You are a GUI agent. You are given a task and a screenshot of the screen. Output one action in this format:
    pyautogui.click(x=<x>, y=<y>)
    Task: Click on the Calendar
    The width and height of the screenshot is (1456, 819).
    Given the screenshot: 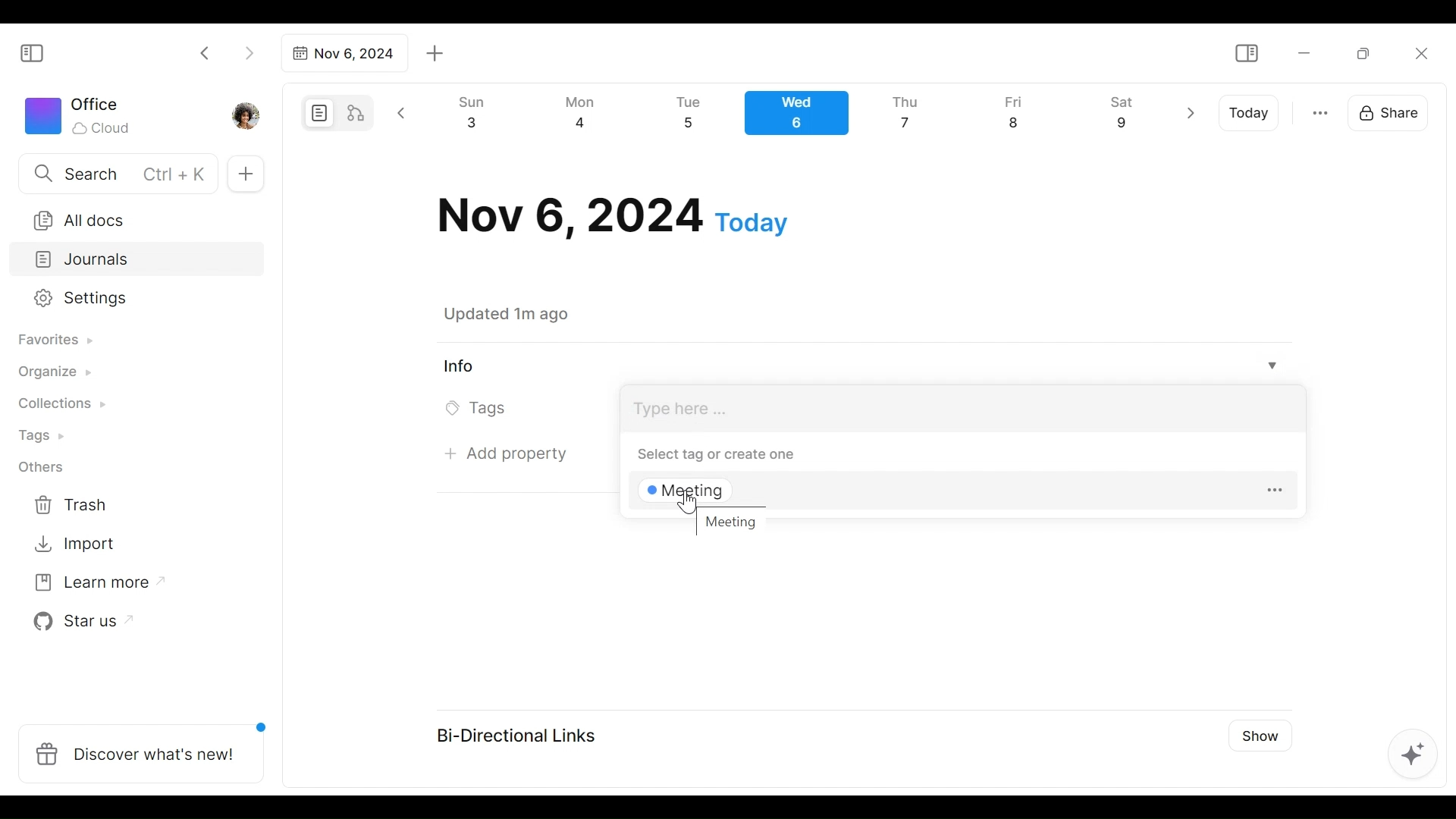 What is the action you would take?
    pyautogui.click(x=803, y=117)
    